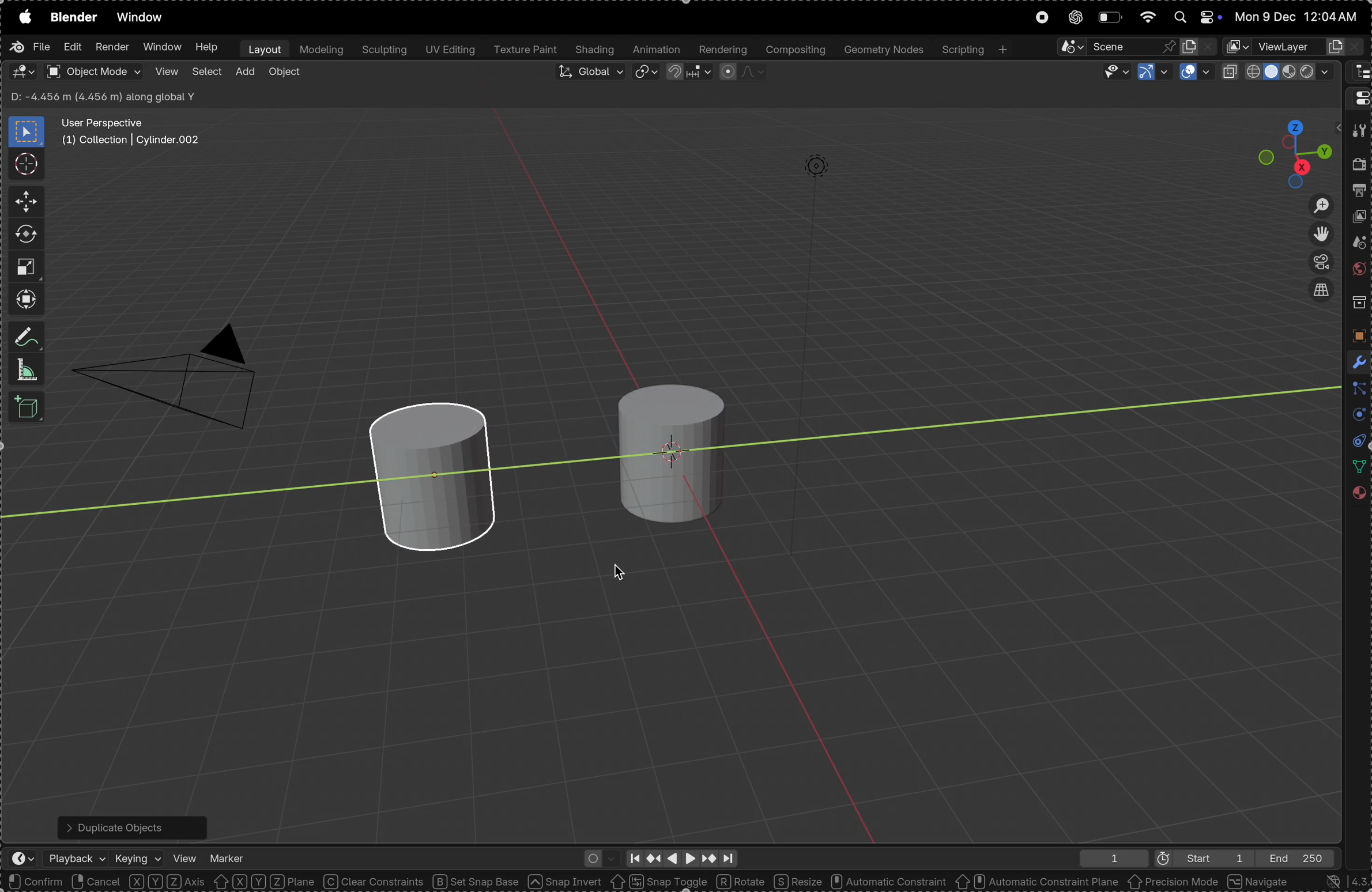  I want to click on start 1, so click(1197, 857).